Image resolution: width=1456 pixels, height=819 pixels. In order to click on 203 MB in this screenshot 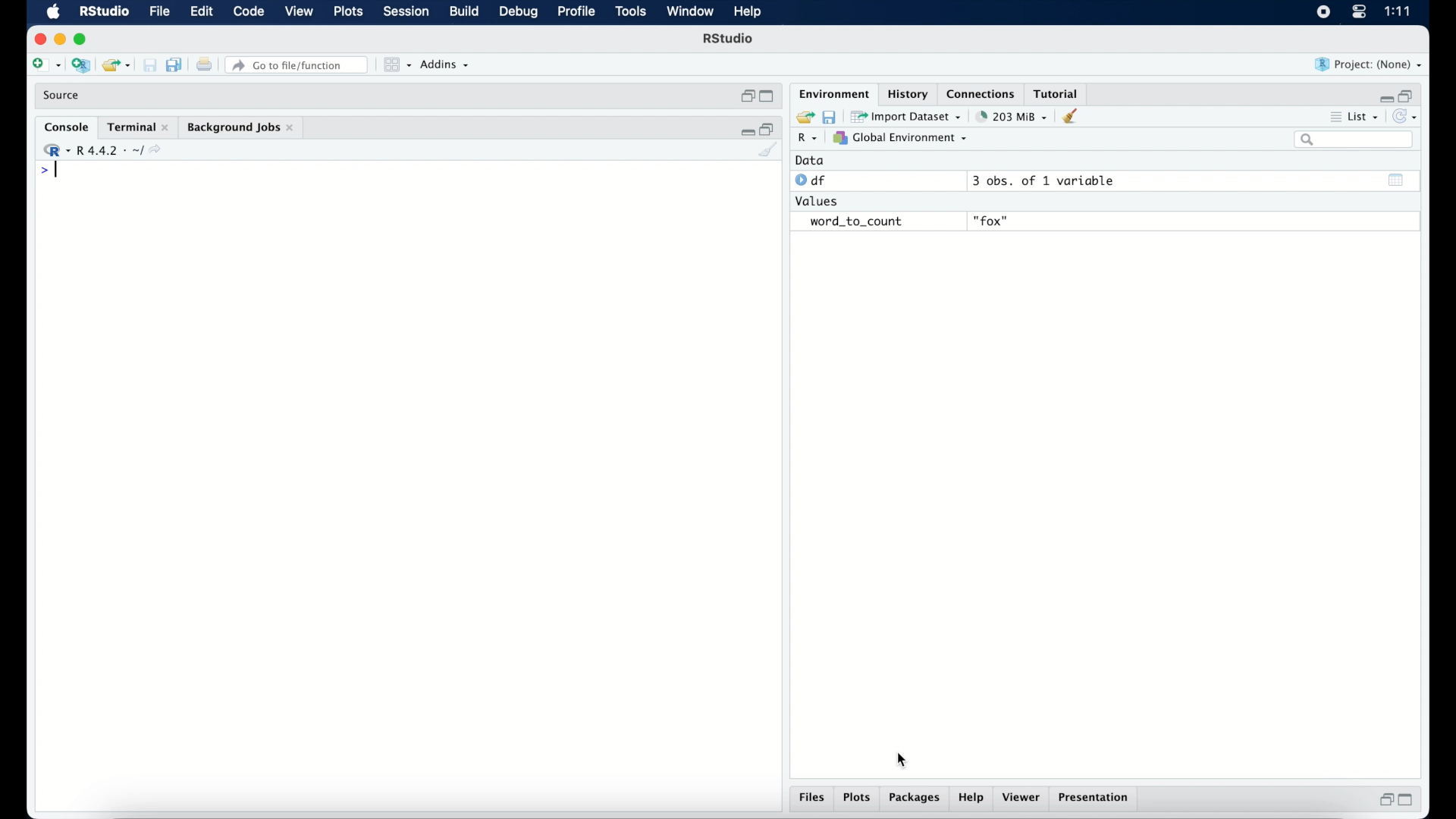, I will do `click(1013, 117)`.